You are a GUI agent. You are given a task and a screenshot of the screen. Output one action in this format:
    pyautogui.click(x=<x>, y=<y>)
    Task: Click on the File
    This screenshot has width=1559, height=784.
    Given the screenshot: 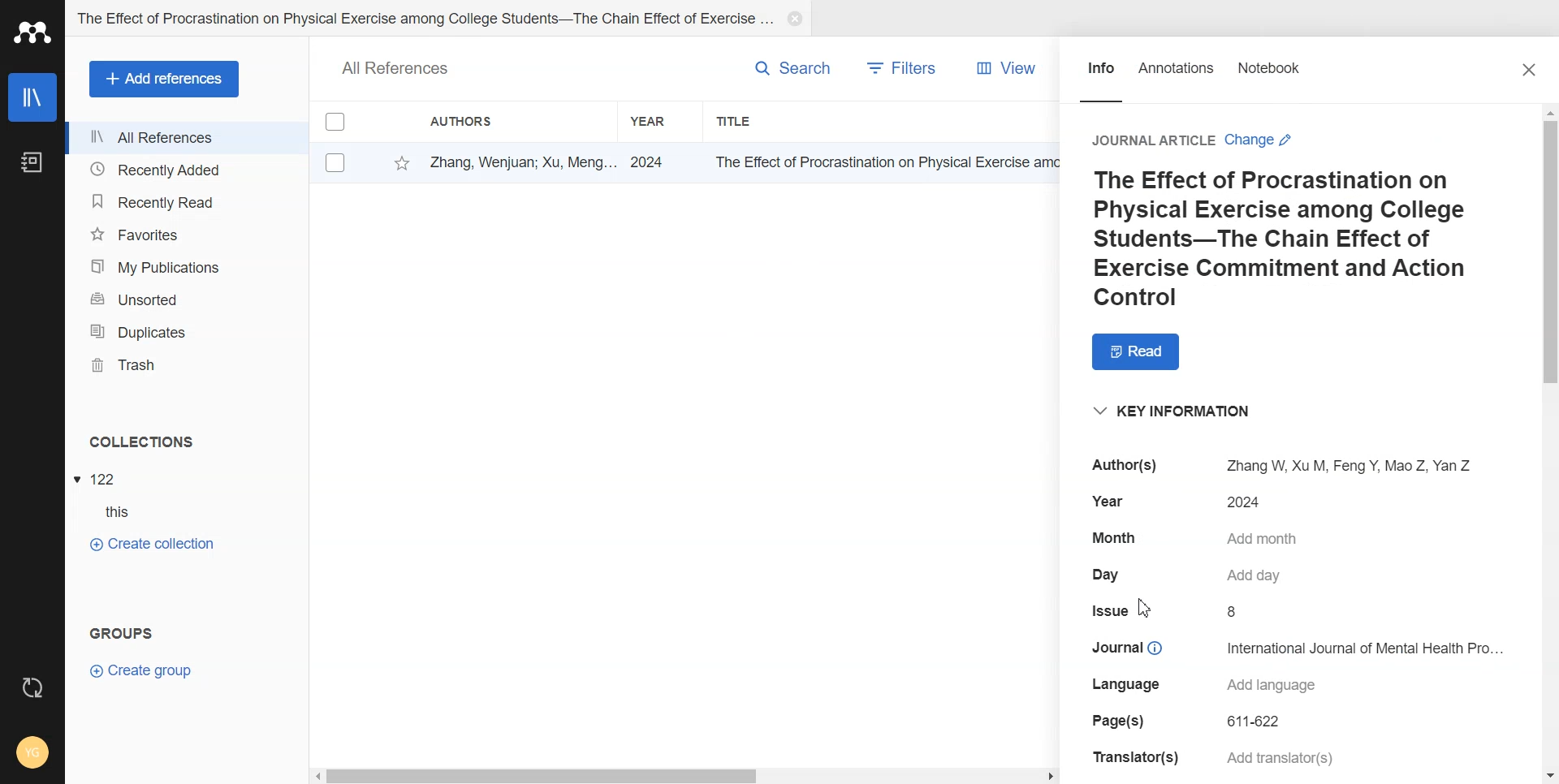 What is the action you would take?
    pyautogui.click(x=100, y=478)
    